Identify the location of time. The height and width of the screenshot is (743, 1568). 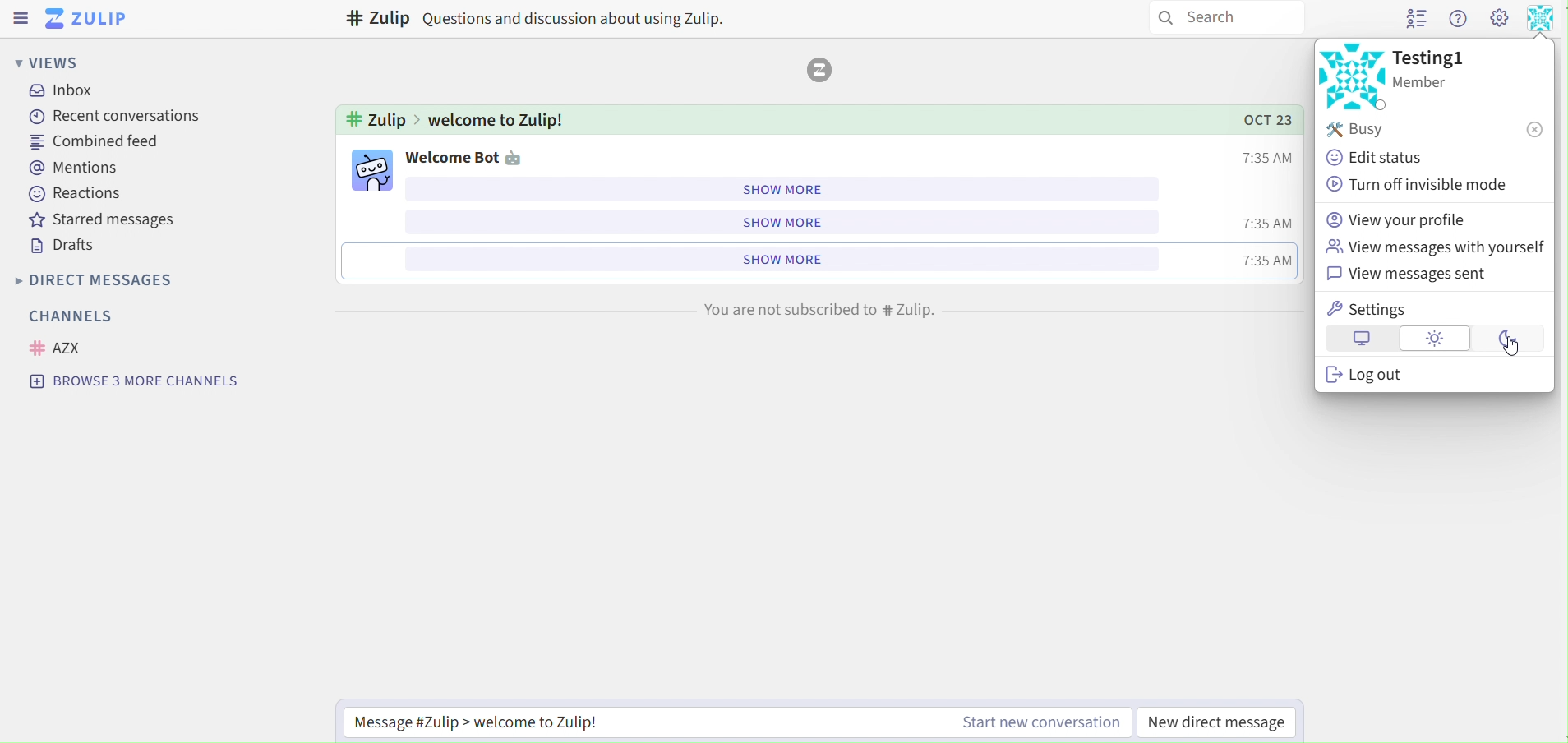
(1264, 224).